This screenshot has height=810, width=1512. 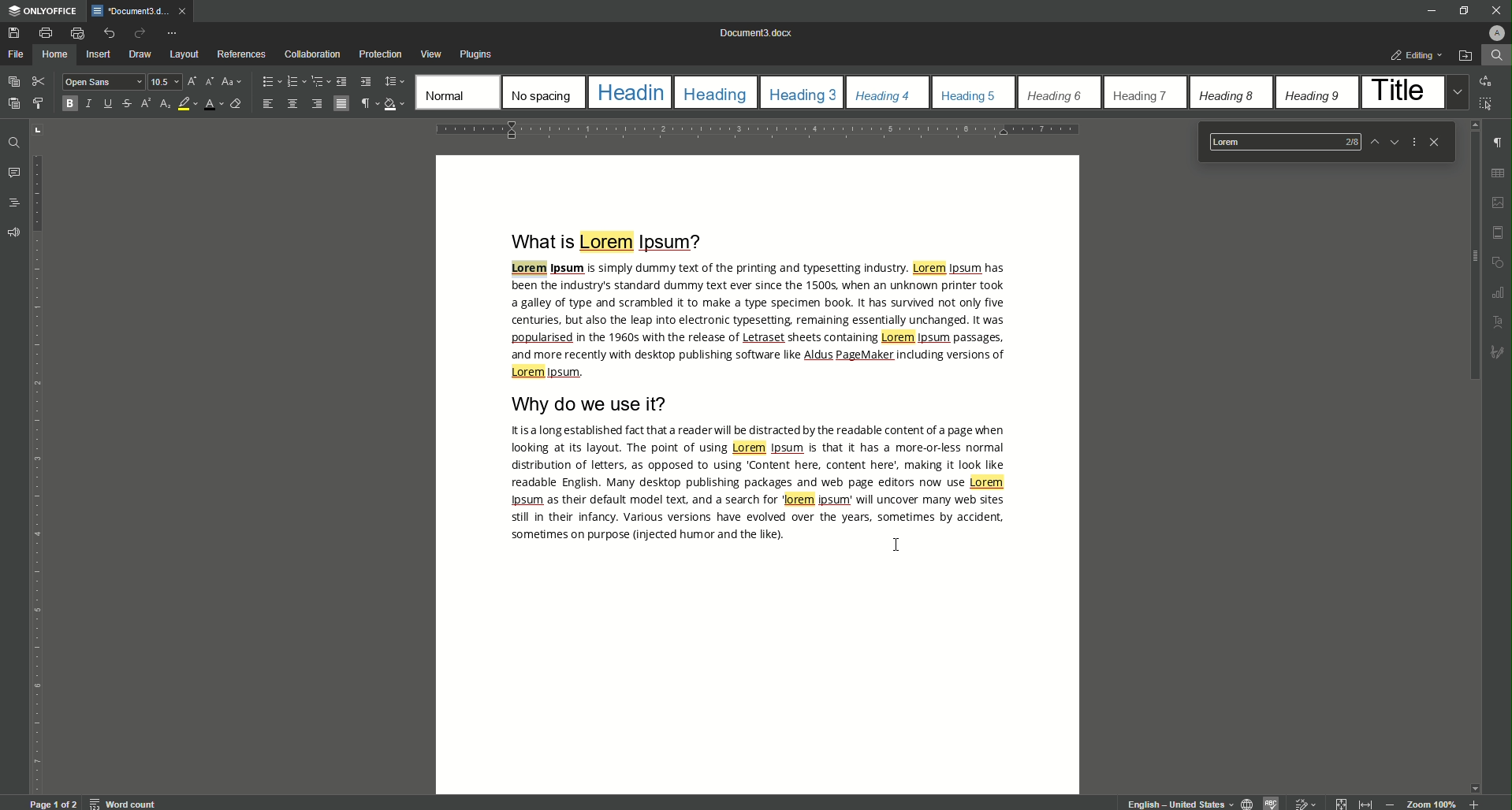 What do you see at coordinates (73, 32) in the screenshot?
I see `Quick Print` at bounding box center [73, 32].